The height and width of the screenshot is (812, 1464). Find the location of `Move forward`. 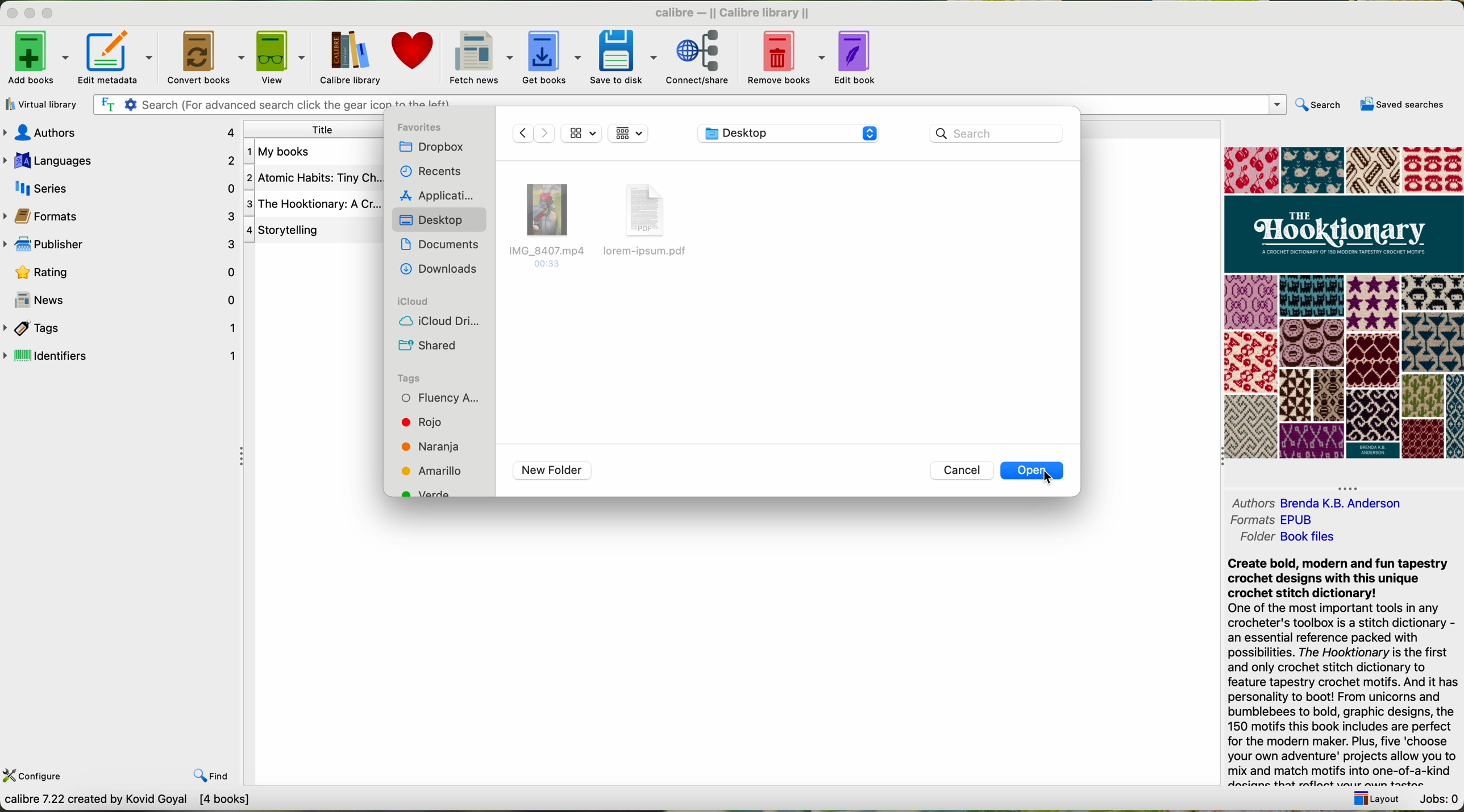

Move forward is located at coordinates (546, 132).